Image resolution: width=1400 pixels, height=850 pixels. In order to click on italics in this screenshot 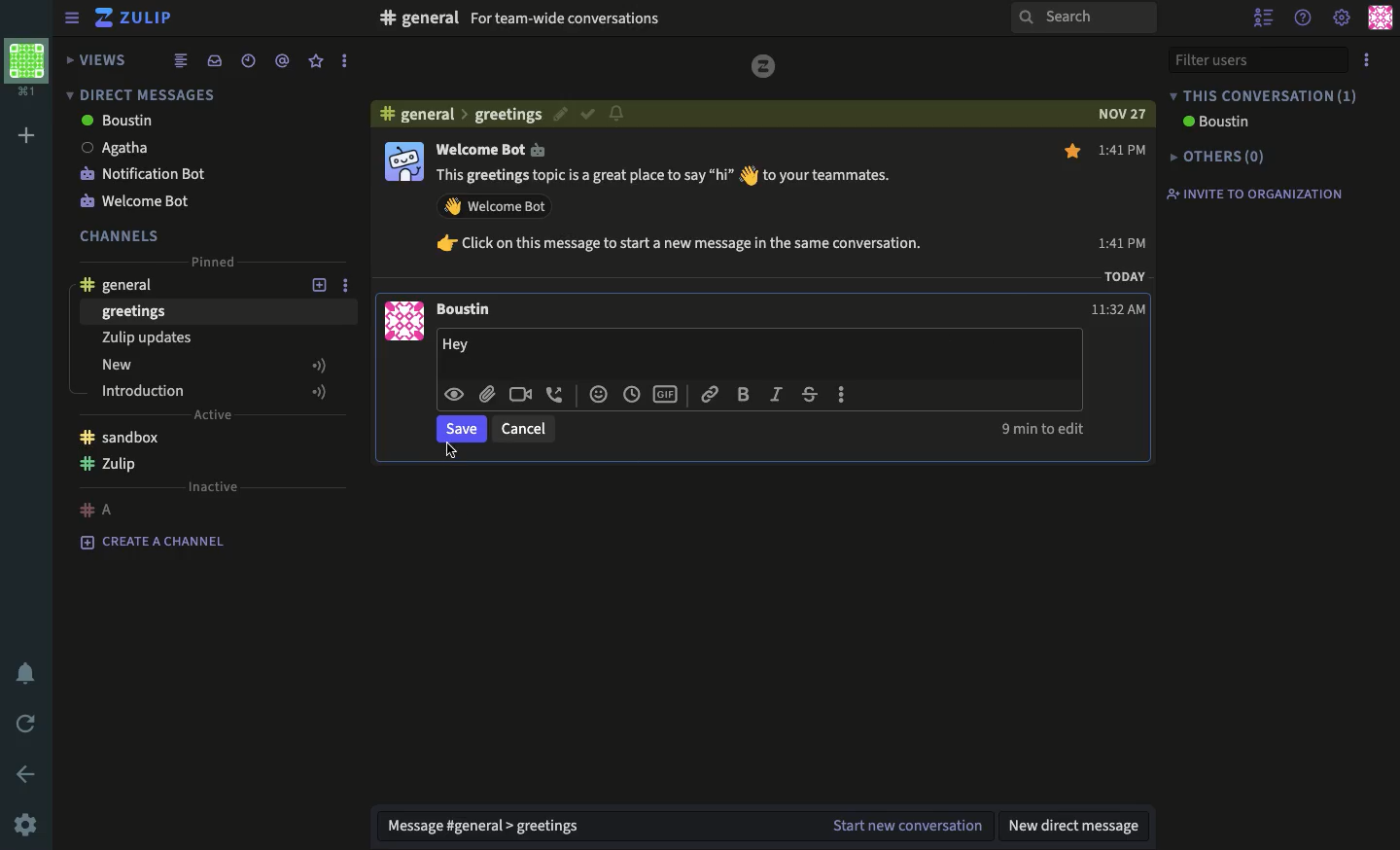, I will do `click(775, 396)`.